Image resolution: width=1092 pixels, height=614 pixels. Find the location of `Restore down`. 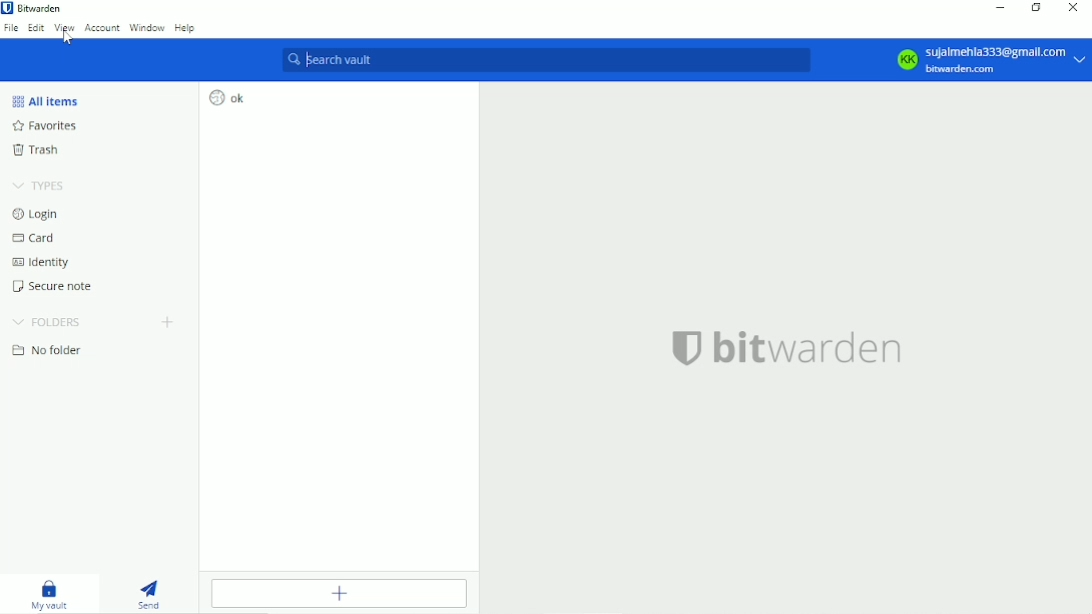

Restore down is located at coordinates (1038, 9).